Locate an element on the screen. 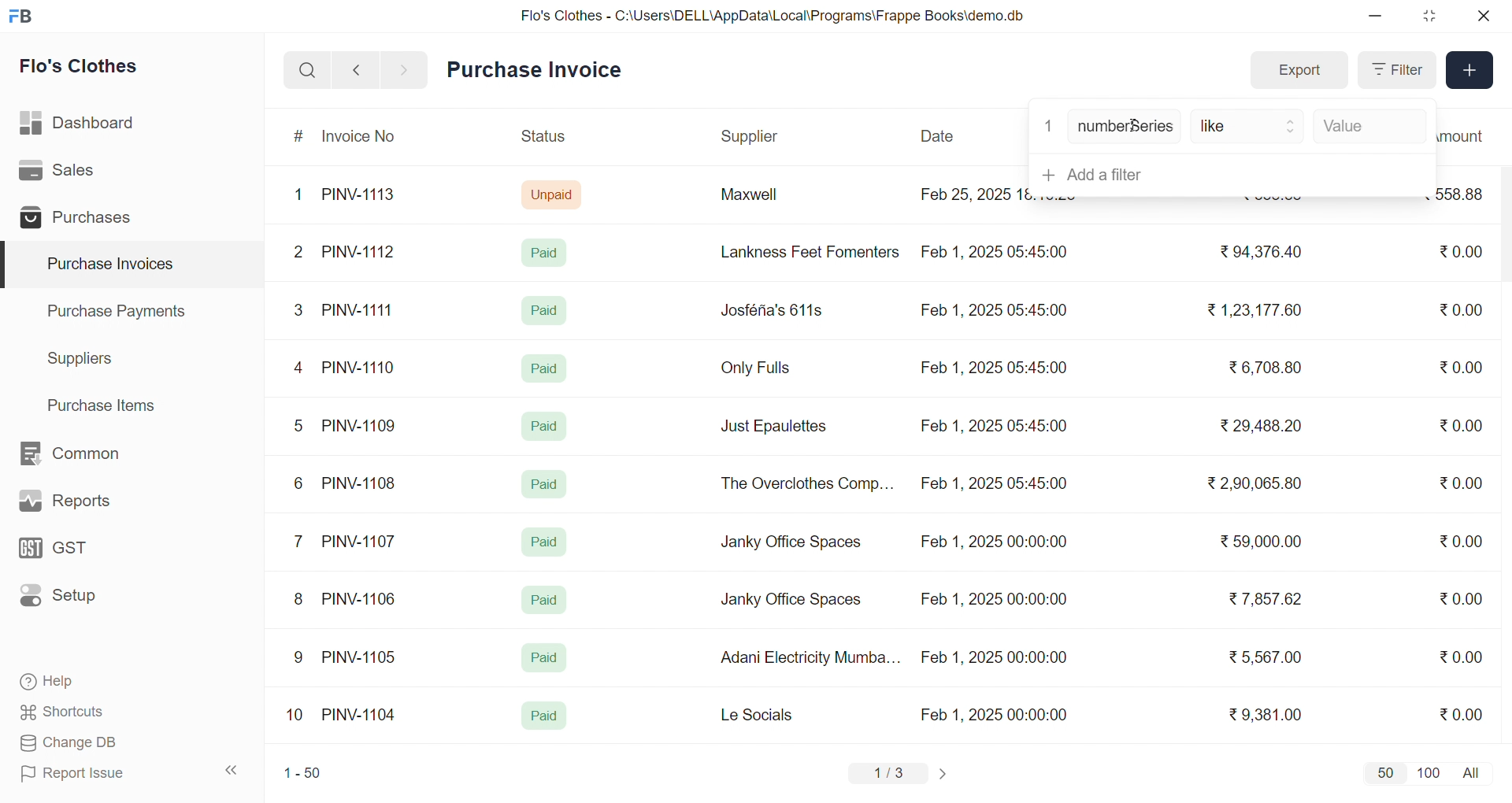 Image resolution: width=1512 pixels, height=803 pixels. minimize is located at coordinates (1377, 17).